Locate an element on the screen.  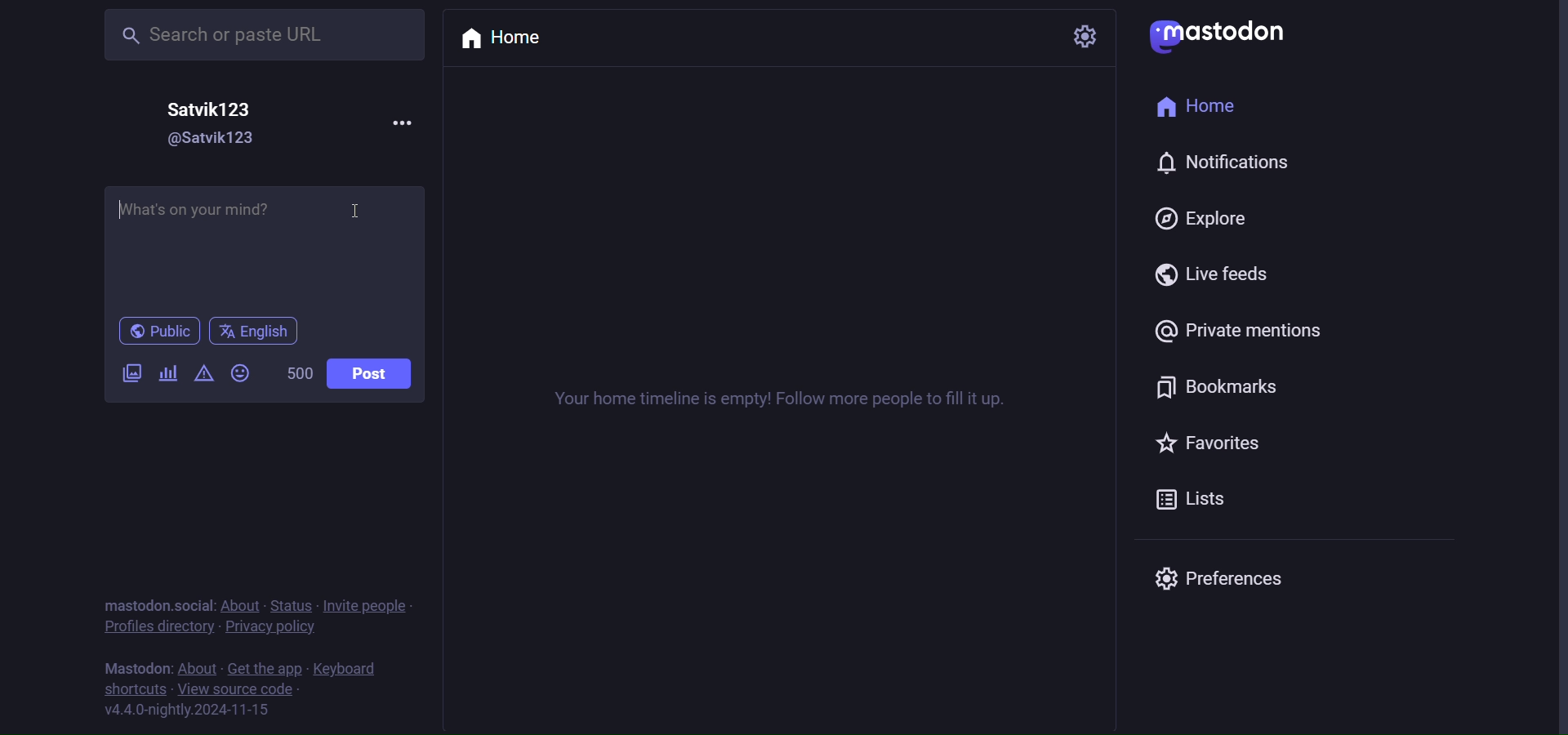
privacy policy is located at coordinates (273, 630).